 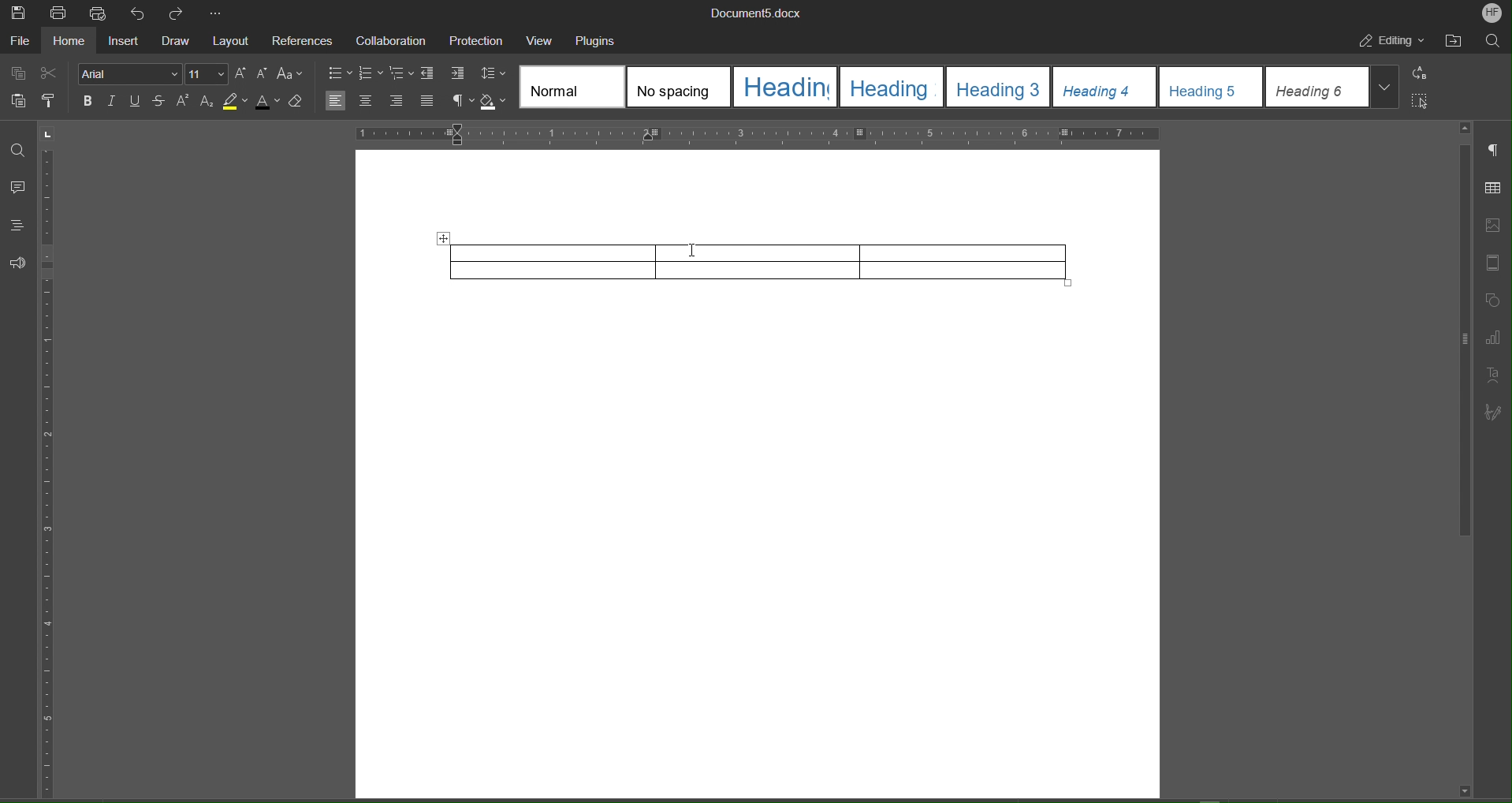 What do you see at coordinates (462, 102) in the screenshot?
I see `Nonprinting characters` at bounding box center [462, 102].